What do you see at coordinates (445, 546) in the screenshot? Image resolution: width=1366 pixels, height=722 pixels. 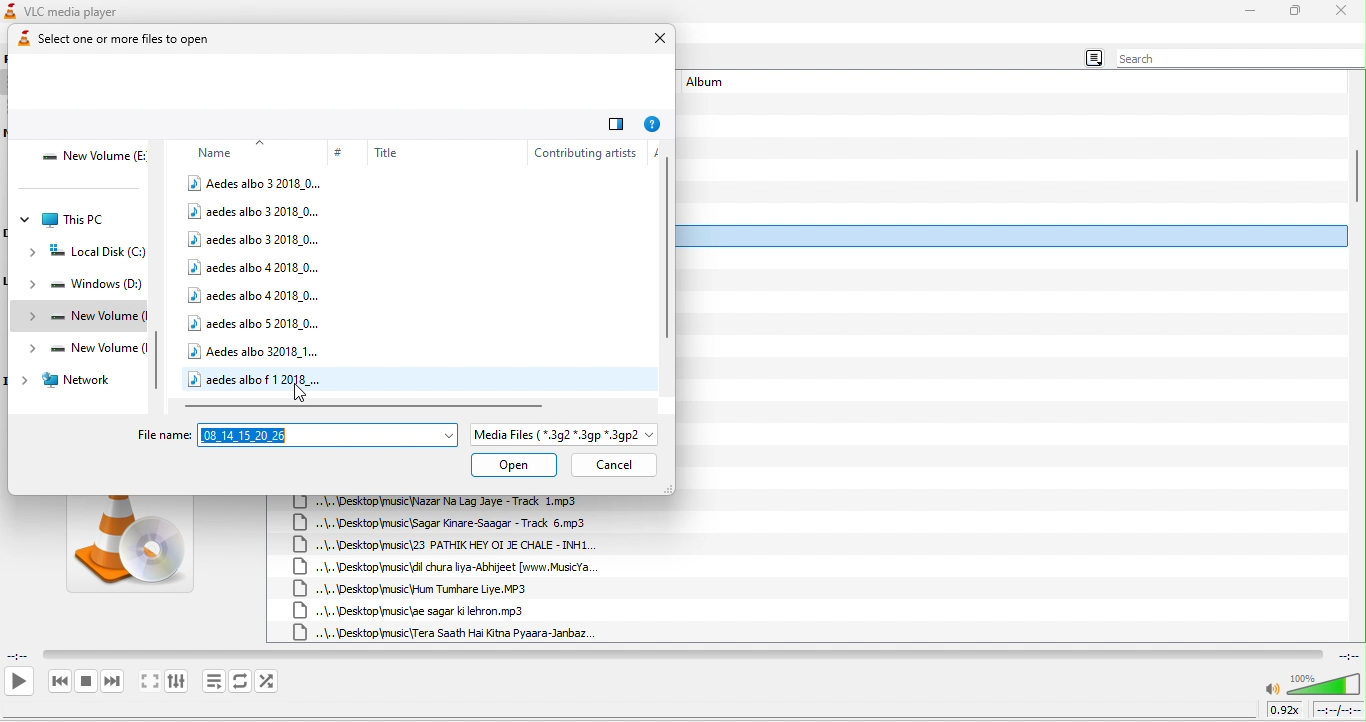 I see `..\..\Desktop\music\23 PATHIK HEY OI JE CHALE - INH1.` at bounding box center [445, 546].